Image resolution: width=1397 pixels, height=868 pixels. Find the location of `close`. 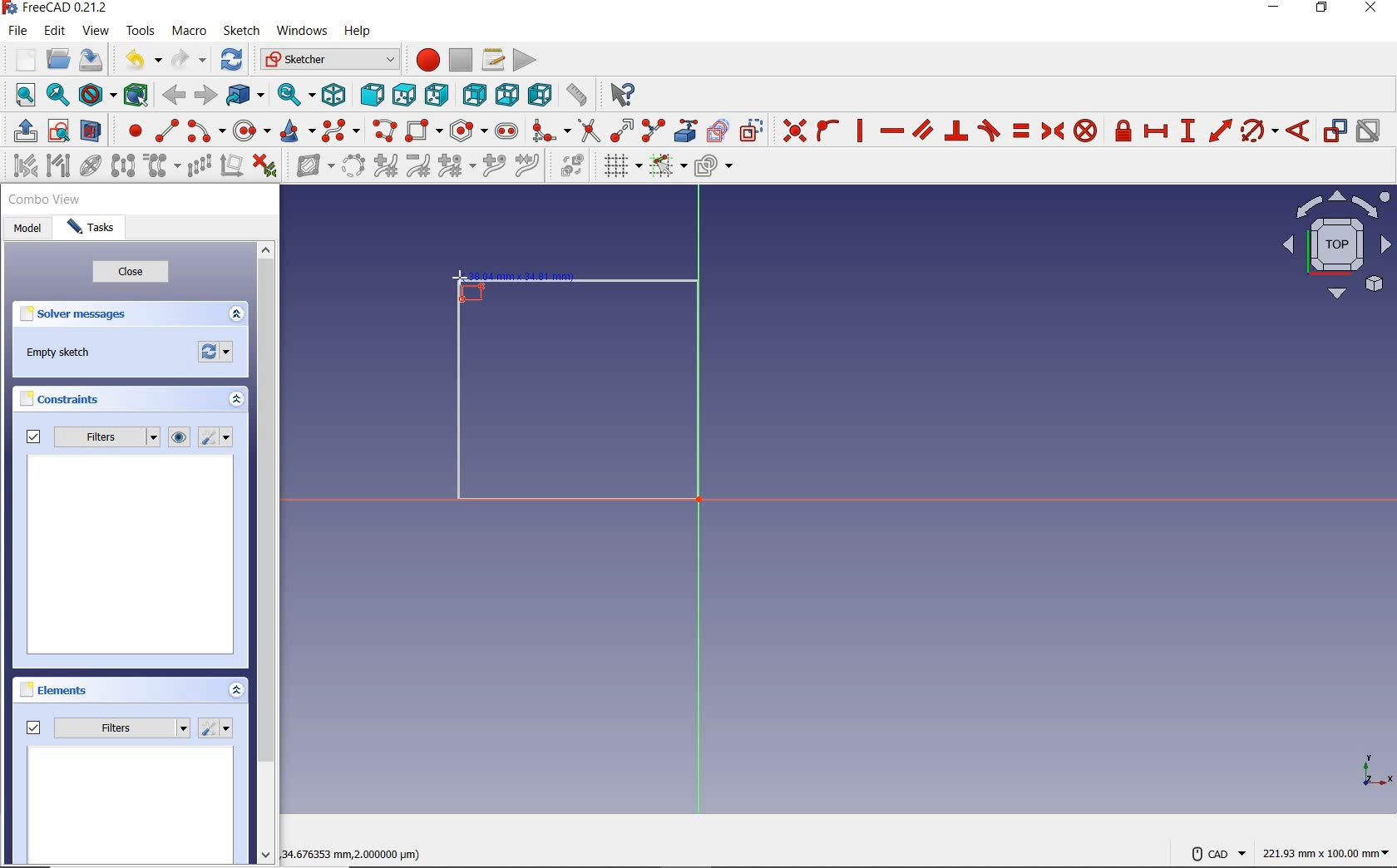

close is located at coordinates (1375, 9).